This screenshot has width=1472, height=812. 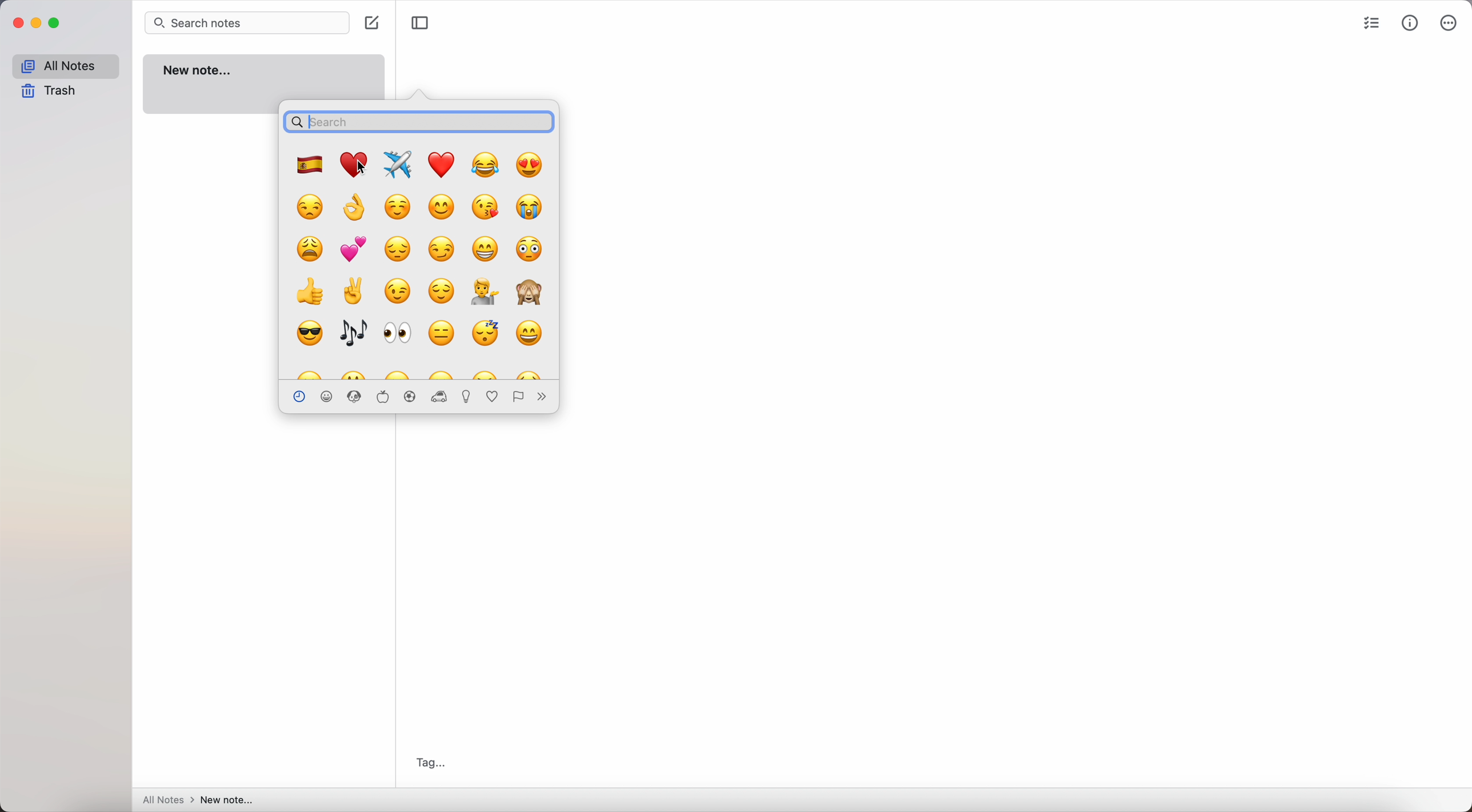 What do you see at coordinates (419, 122) in the screenshot?
I see `search bar` at bounding box center [419, 122].